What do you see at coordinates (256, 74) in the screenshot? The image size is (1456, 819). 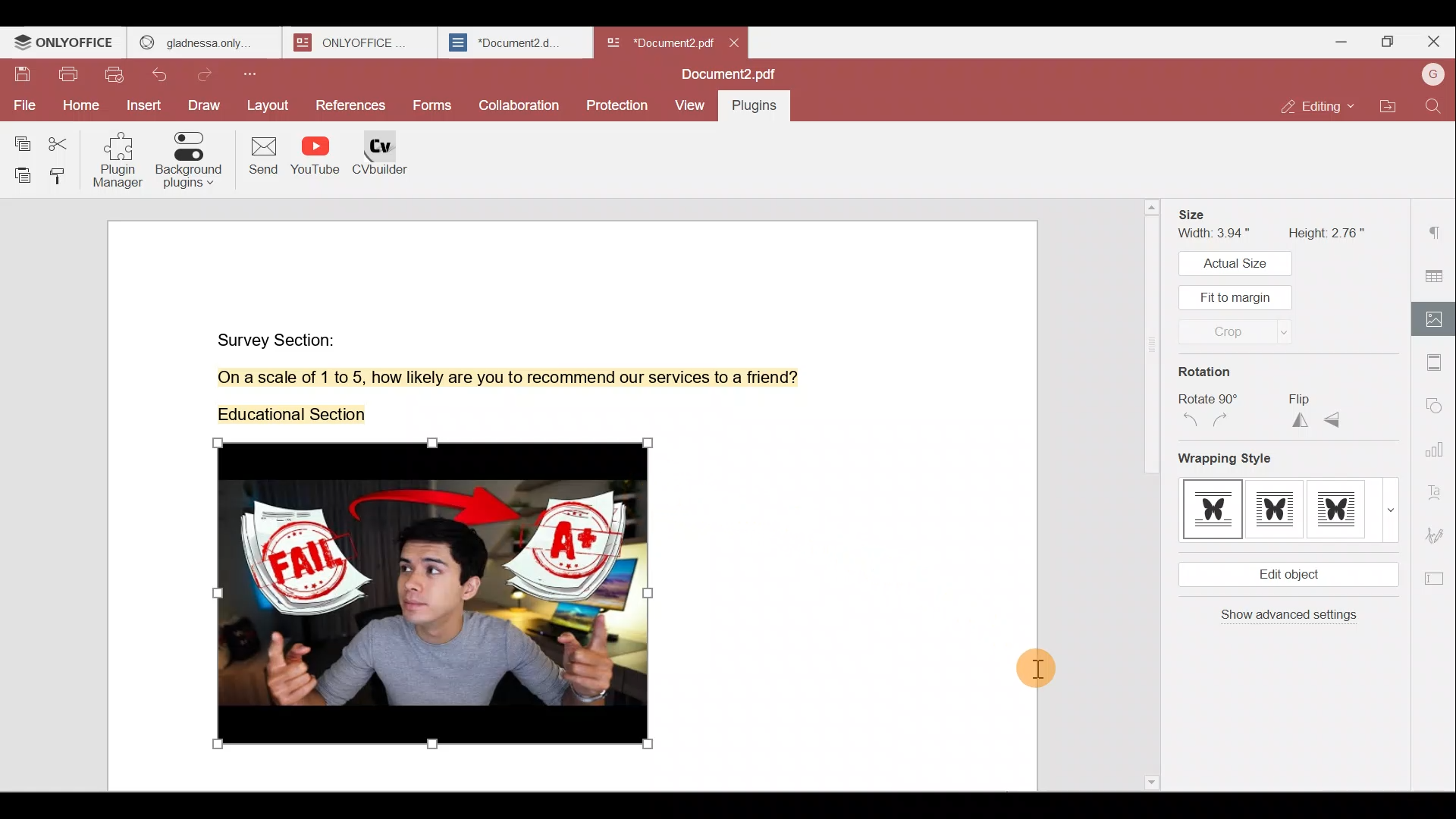 I see `Customize quick access toolbar` at bounding box center [256, 74].